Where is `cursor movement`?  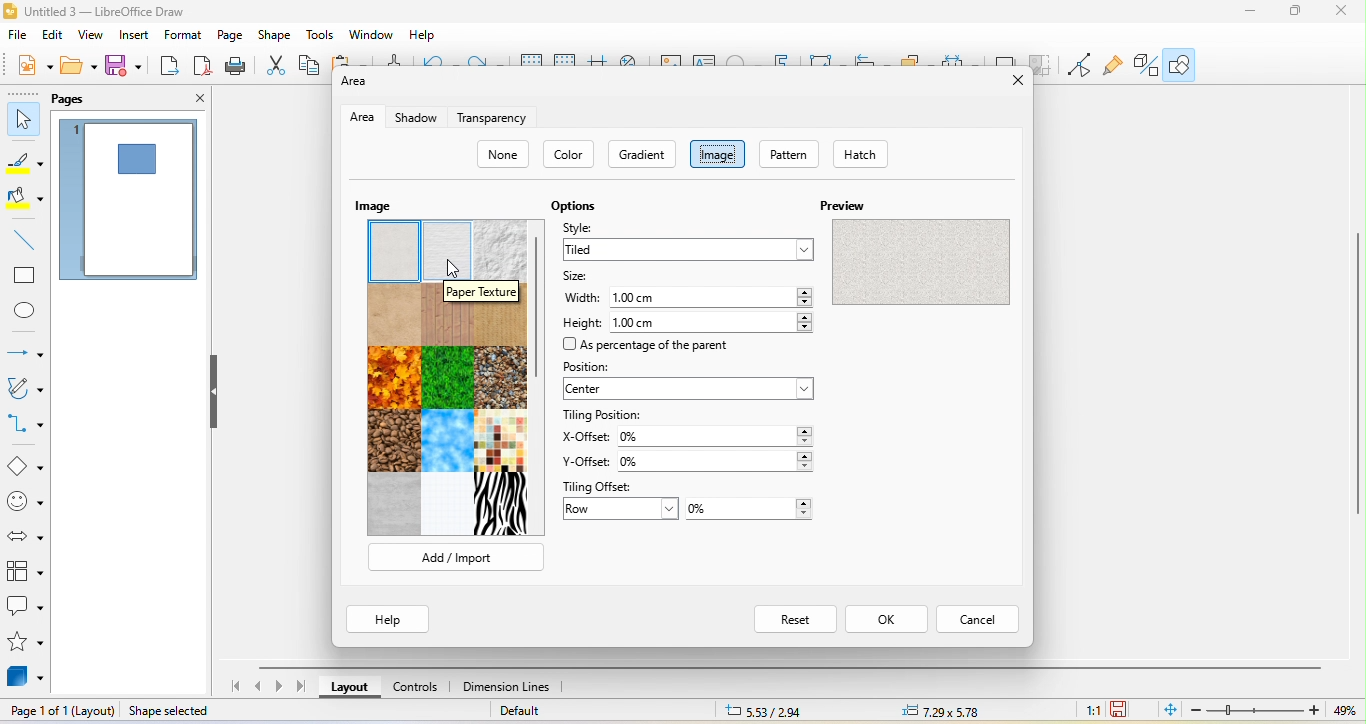
cursor movement is located at coordinates (452, 266).